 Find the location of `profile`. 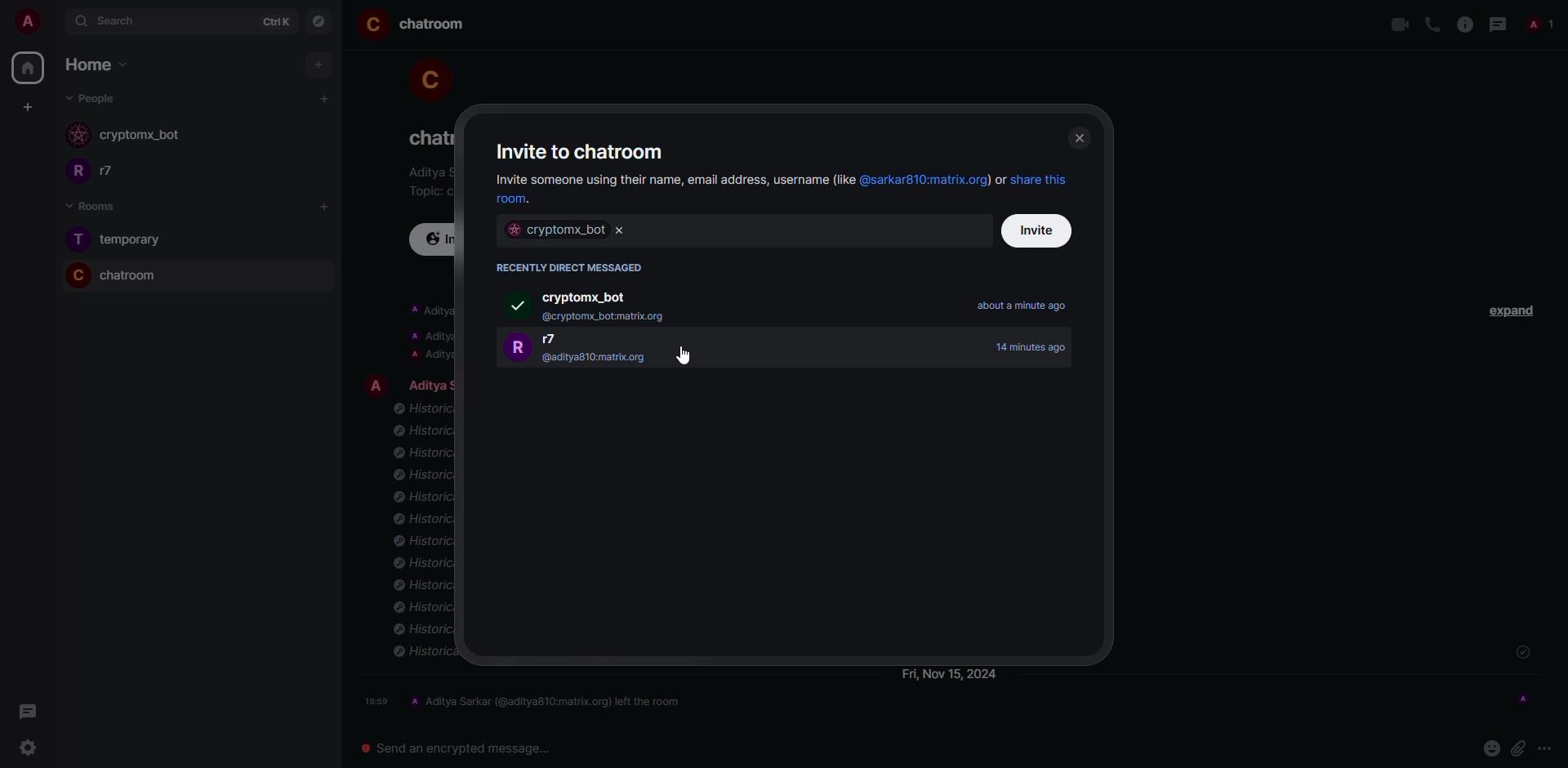

profile is located at coordinates (74, 173).